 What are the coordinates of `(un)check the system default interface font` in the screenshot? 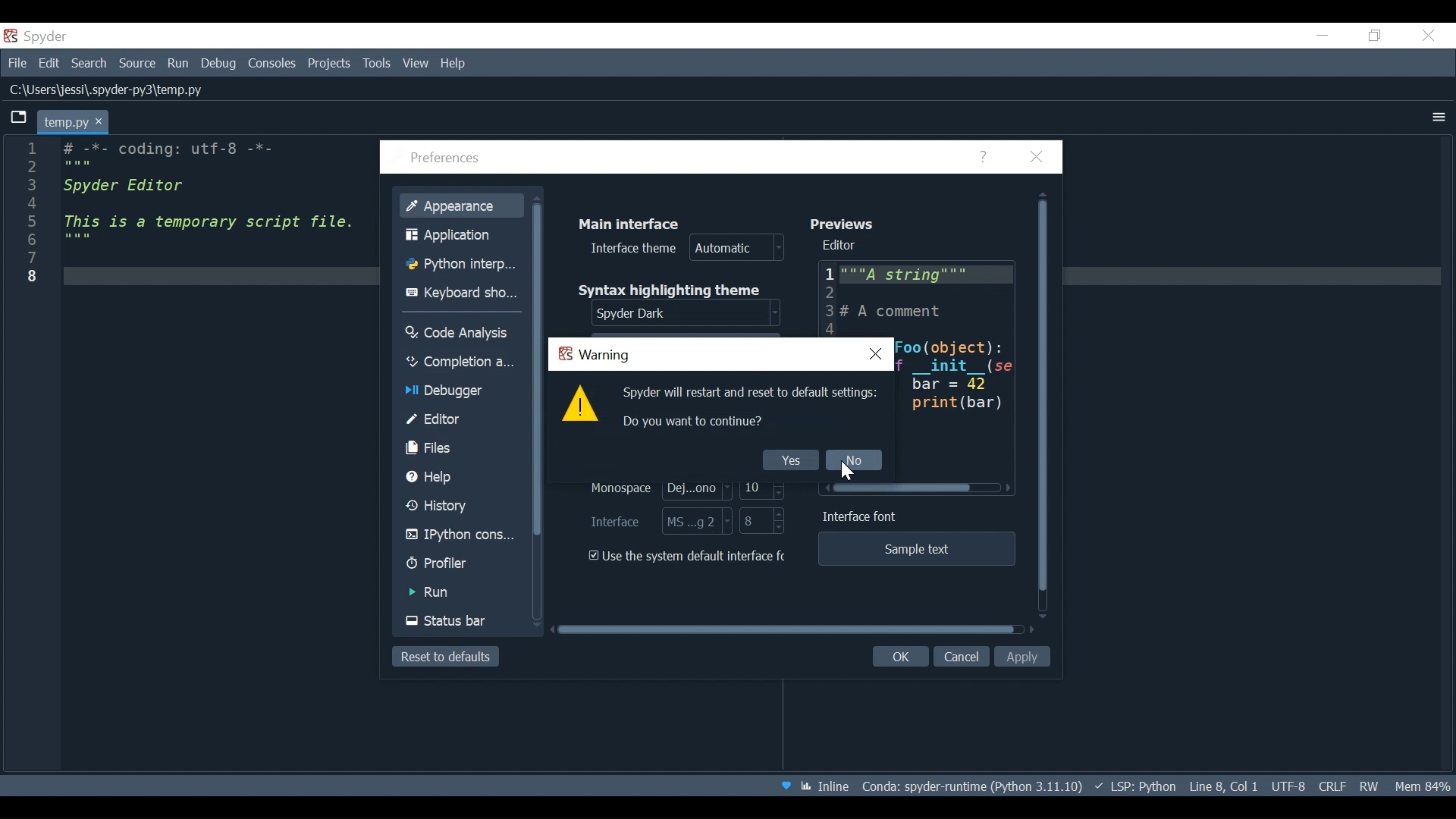 It's located at (691, 556).